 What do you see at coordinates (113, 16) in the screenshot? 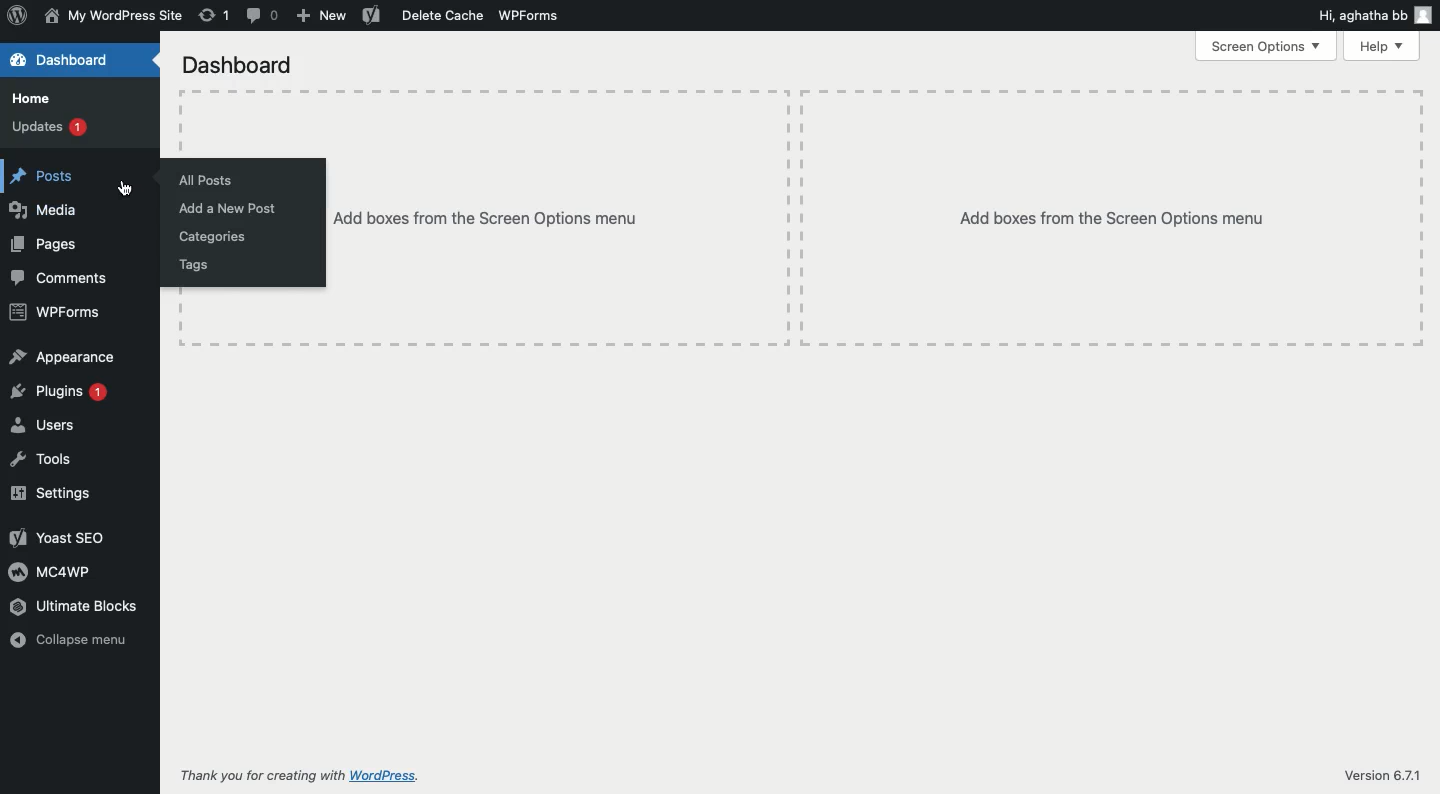
I see `My WordPress Site` at bounding box center [113, 16].